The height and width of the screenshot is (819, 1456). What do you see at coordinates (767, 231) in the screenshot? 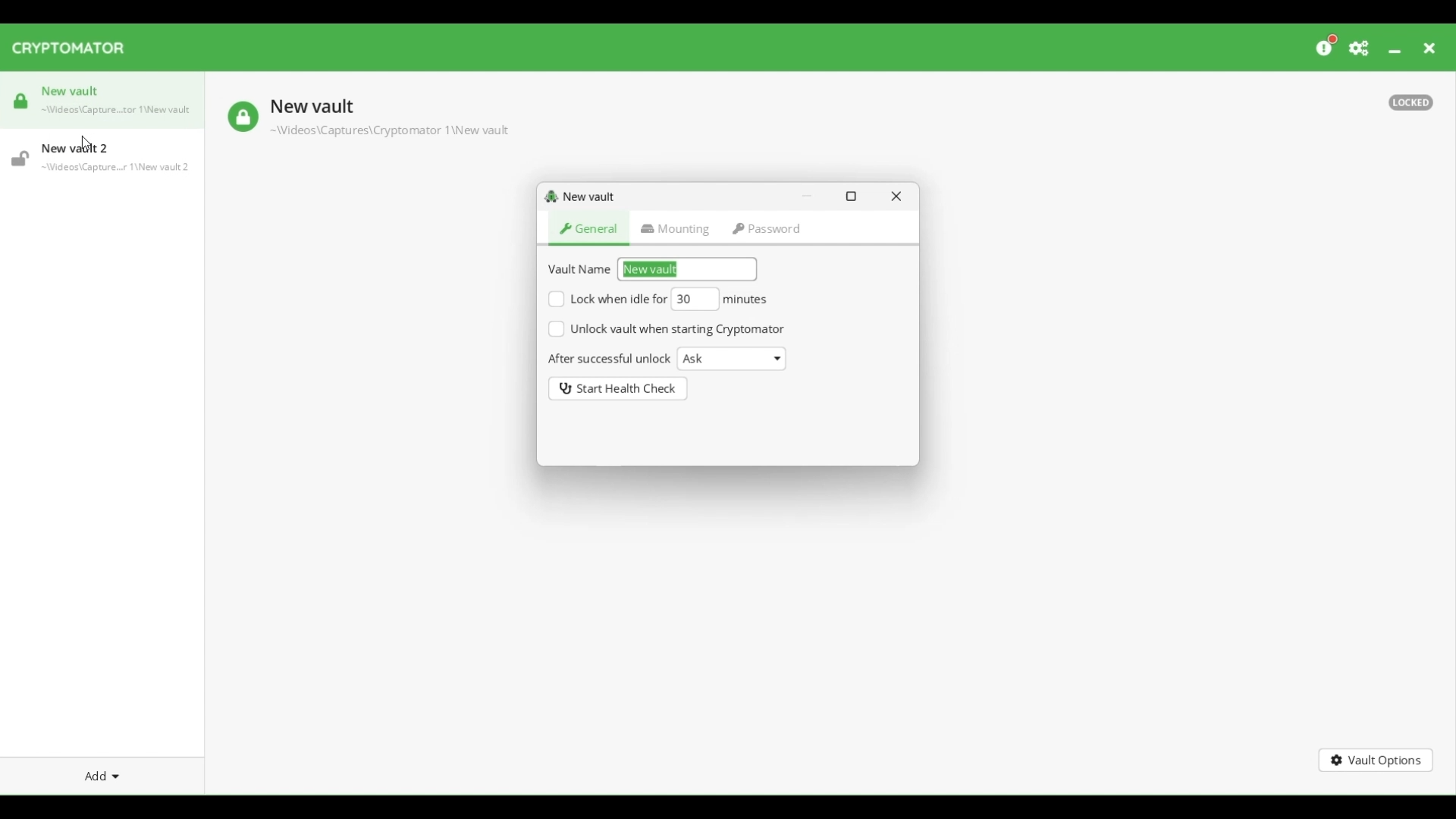
I see `Password options` at bounding box center [767, 231].